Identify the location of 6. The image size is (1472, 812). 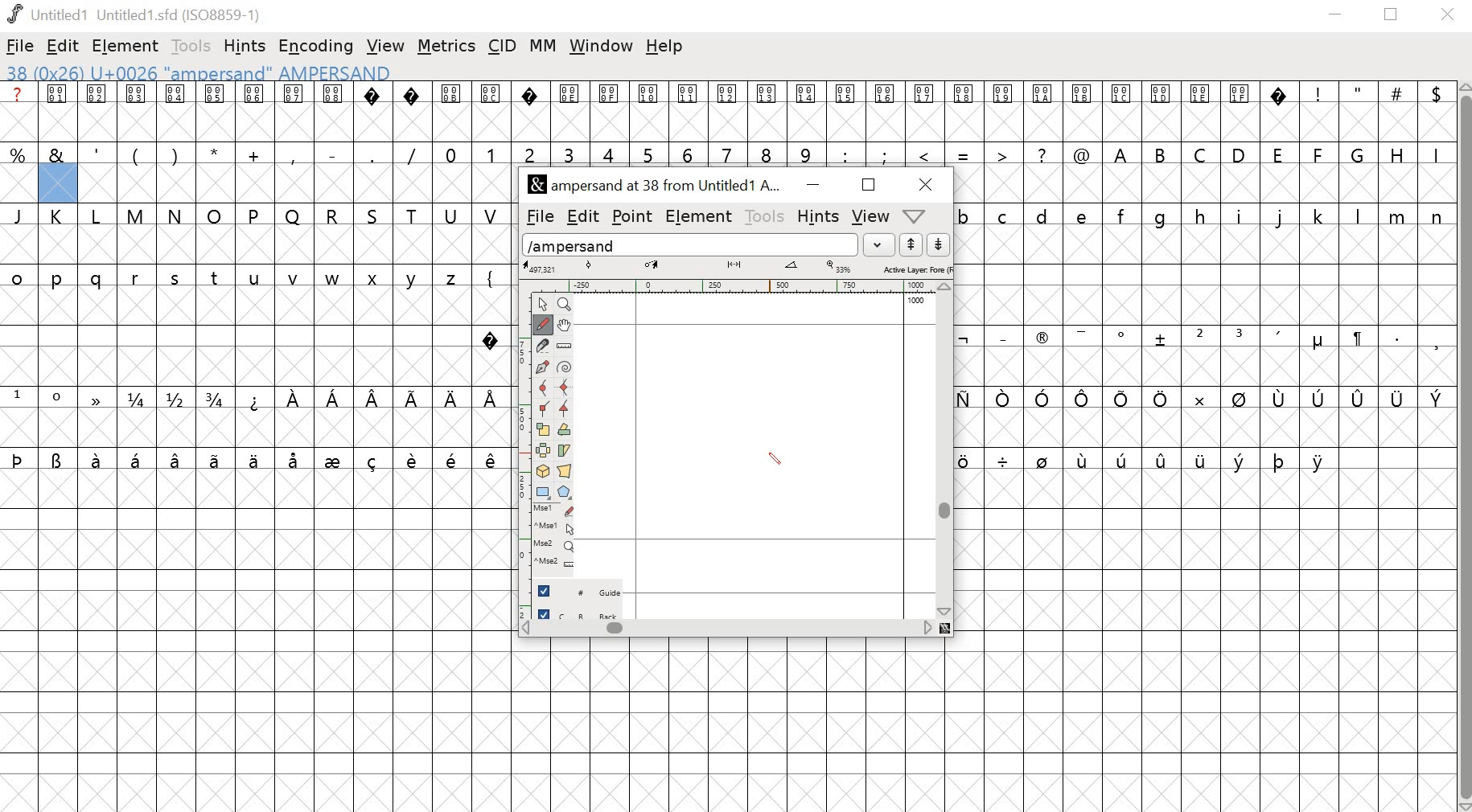
(691, 153).